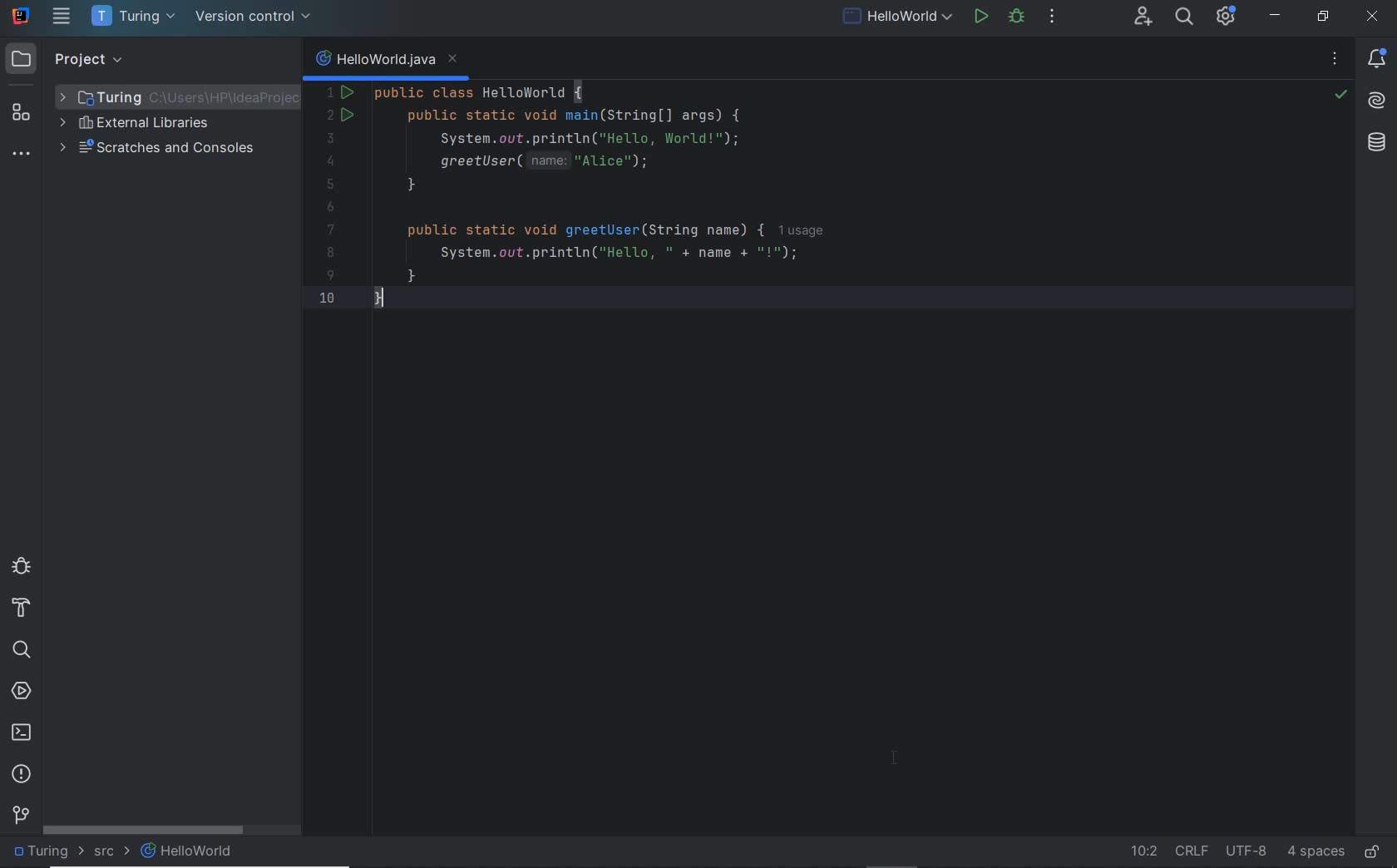 This screenshot has width=1397, height=868. I want to click on run configuration for custom application configured, so click(749, 205).